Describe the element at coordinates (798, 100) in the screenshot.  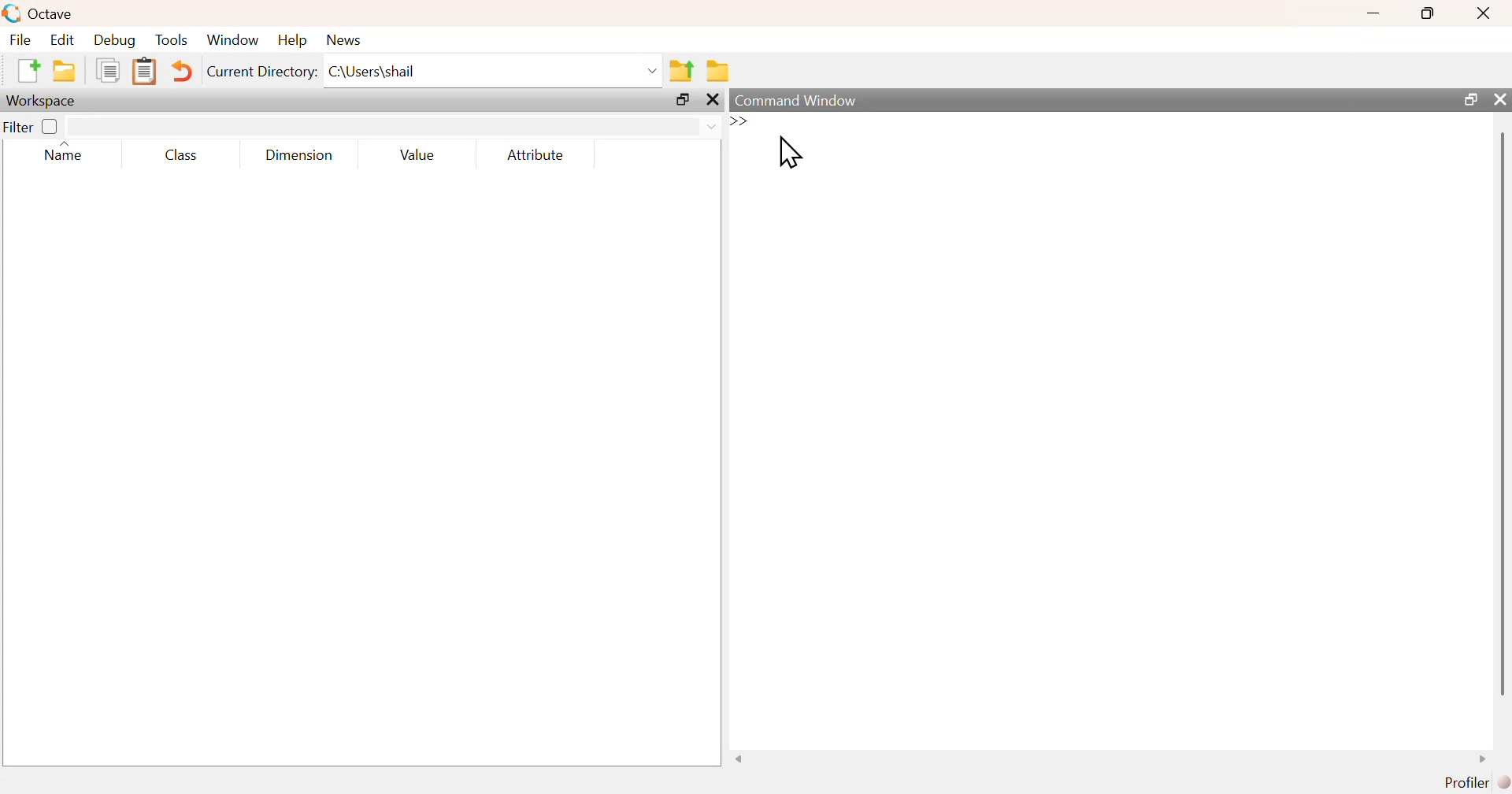
I see `Command Window` at that location.